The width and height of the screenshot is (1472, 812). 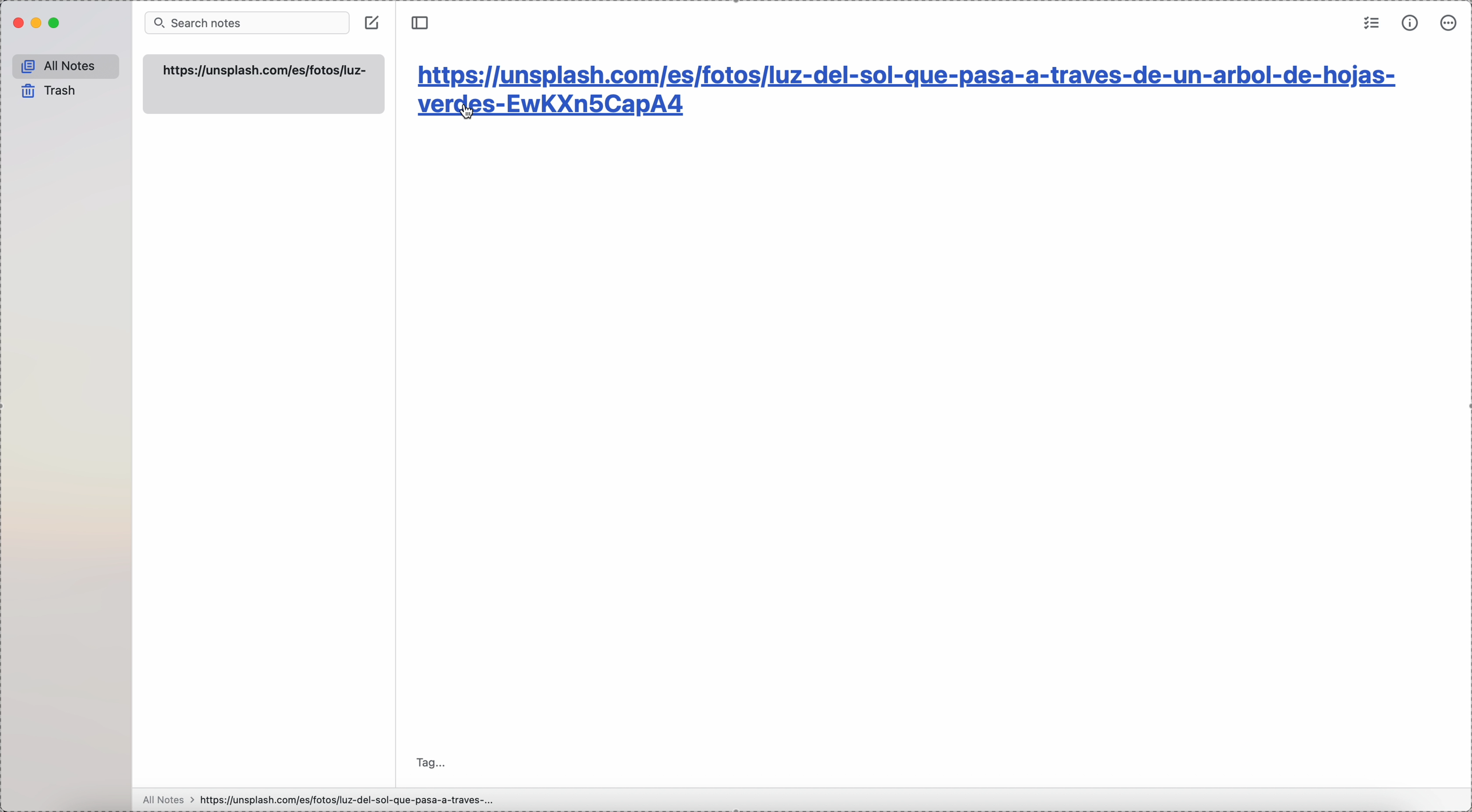 What do you see at coordinates (1450, 23) in the screenshot?
I see `more options` at bounding box center [1450, 23].